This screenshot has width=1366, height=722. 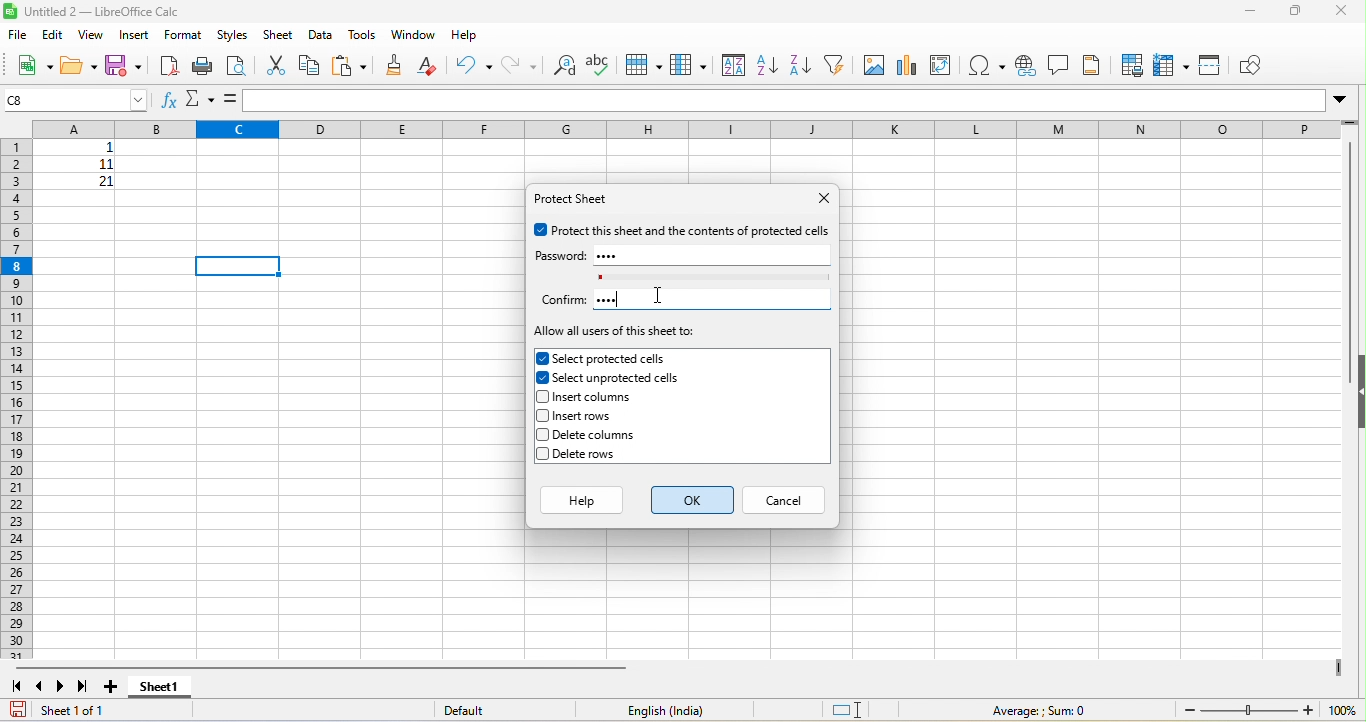 I want to click on split window, so click(x=1211, y=67).